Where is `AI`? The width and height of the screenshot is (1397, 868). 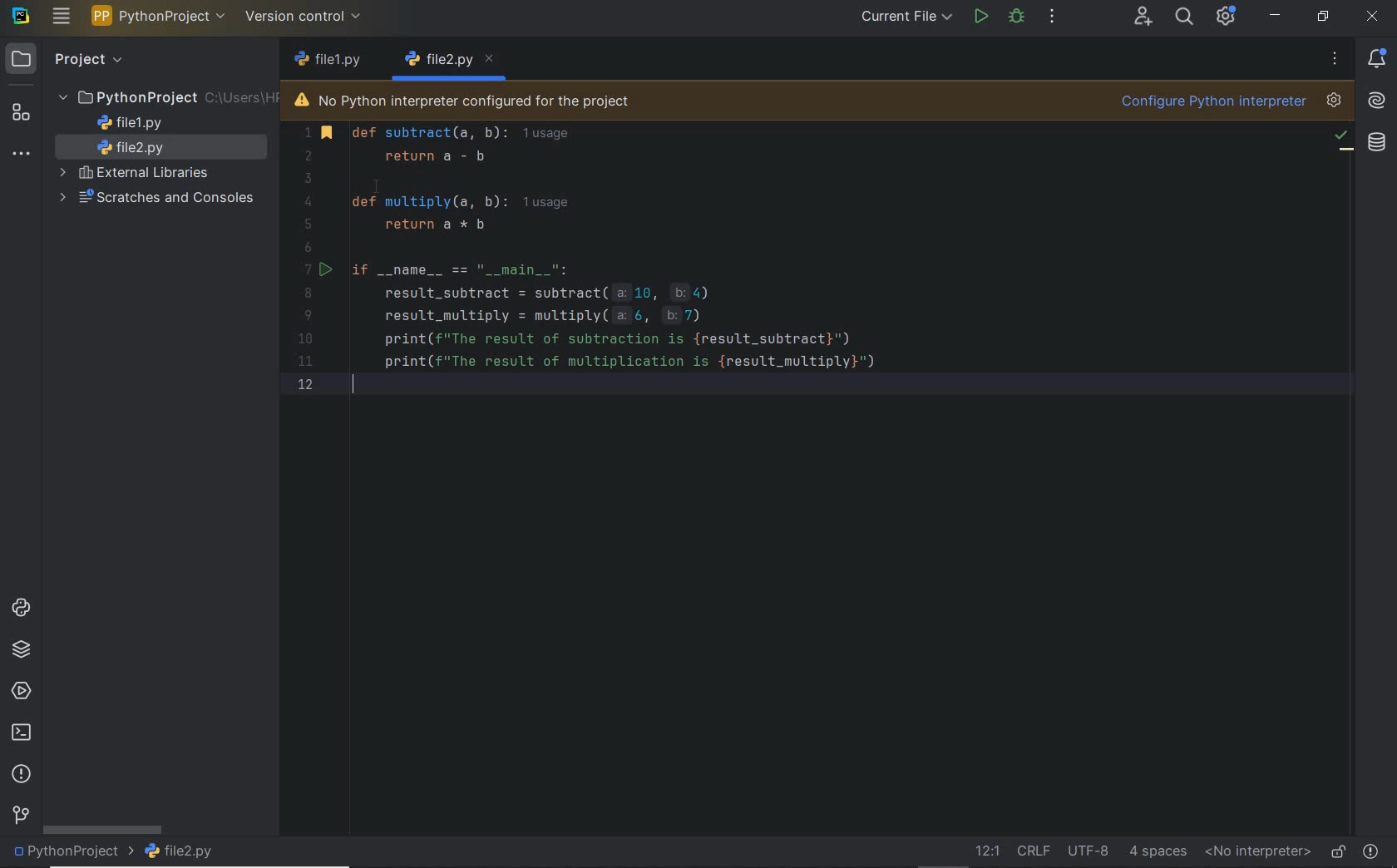
AI is located at coordinates (1377, 102).